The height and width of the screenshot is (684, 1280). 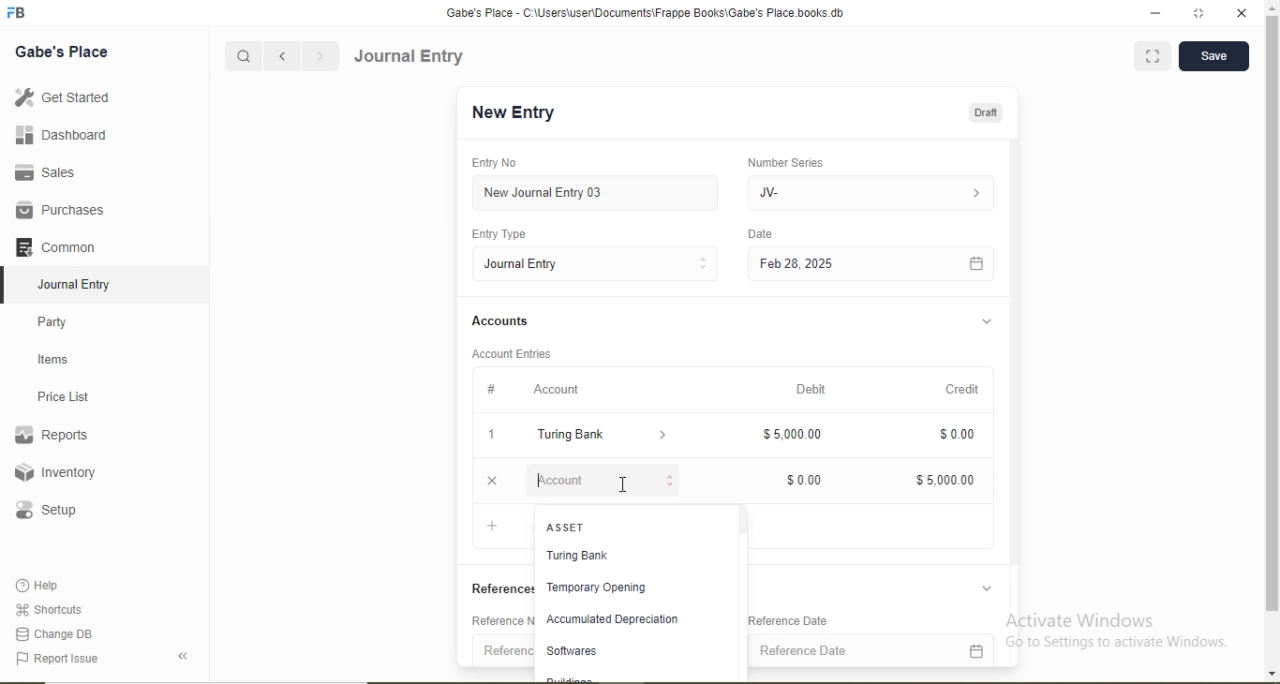 I want to click on Temporary Opening, so click(x=598, y=589).